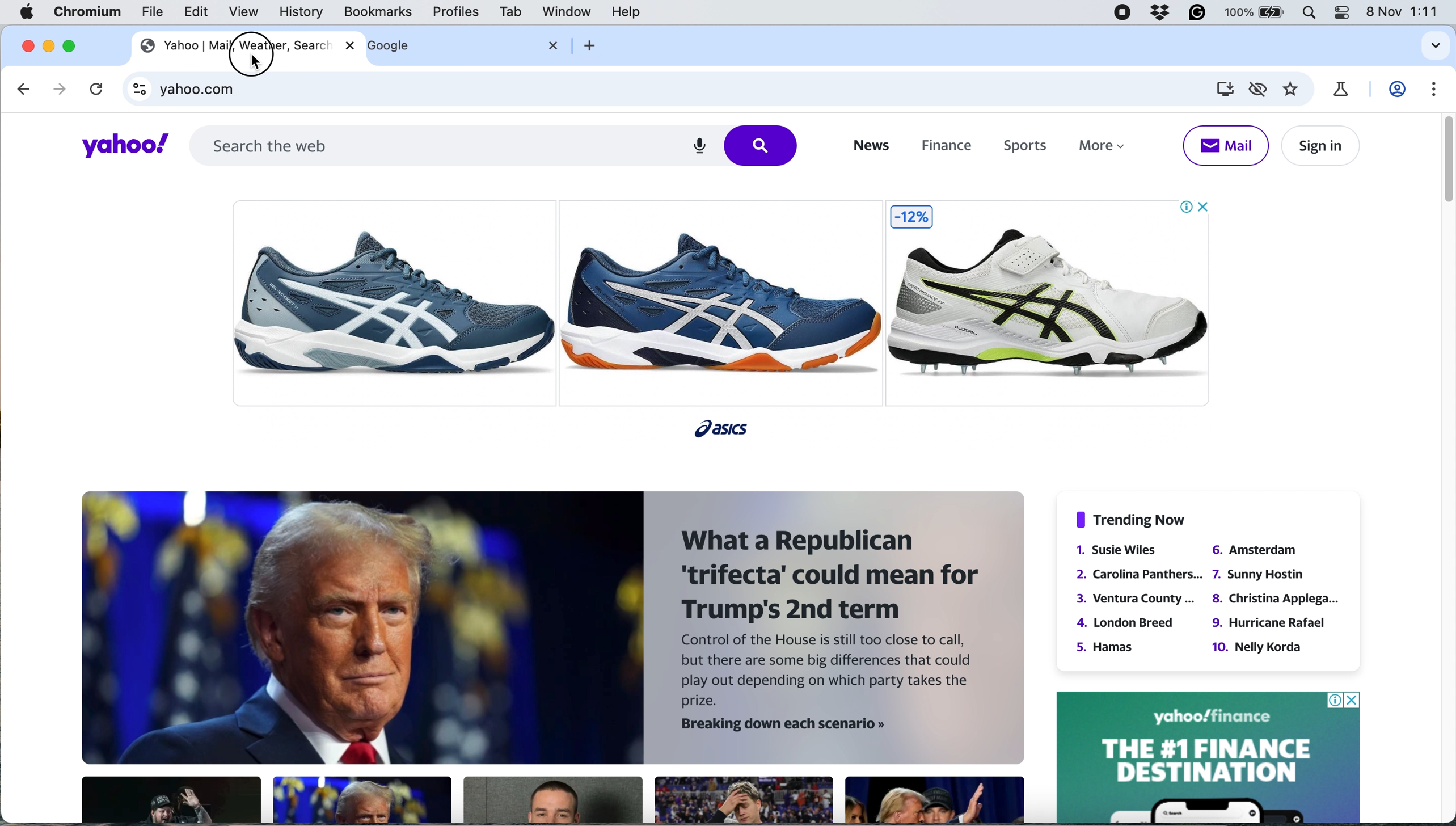 The image size is (1456, 826). What do you see at coordinates (1260, 88) in the screenshot?
I see `third party cookies limited` at bounding box center [1260, 88].